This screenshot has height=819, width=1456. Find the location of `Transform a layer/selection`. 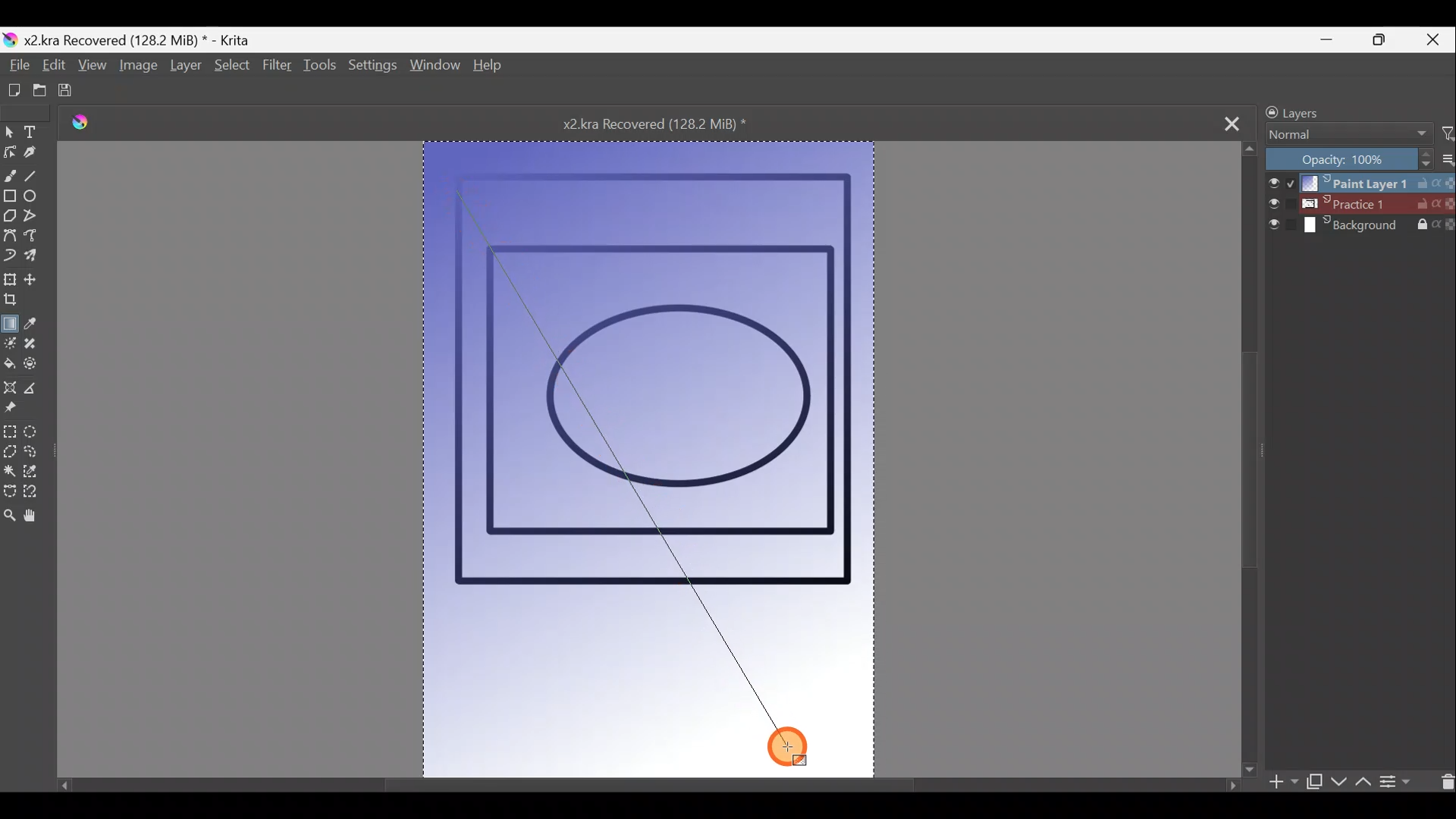

Transform a layer/selection is located at coordinates (11, 281).